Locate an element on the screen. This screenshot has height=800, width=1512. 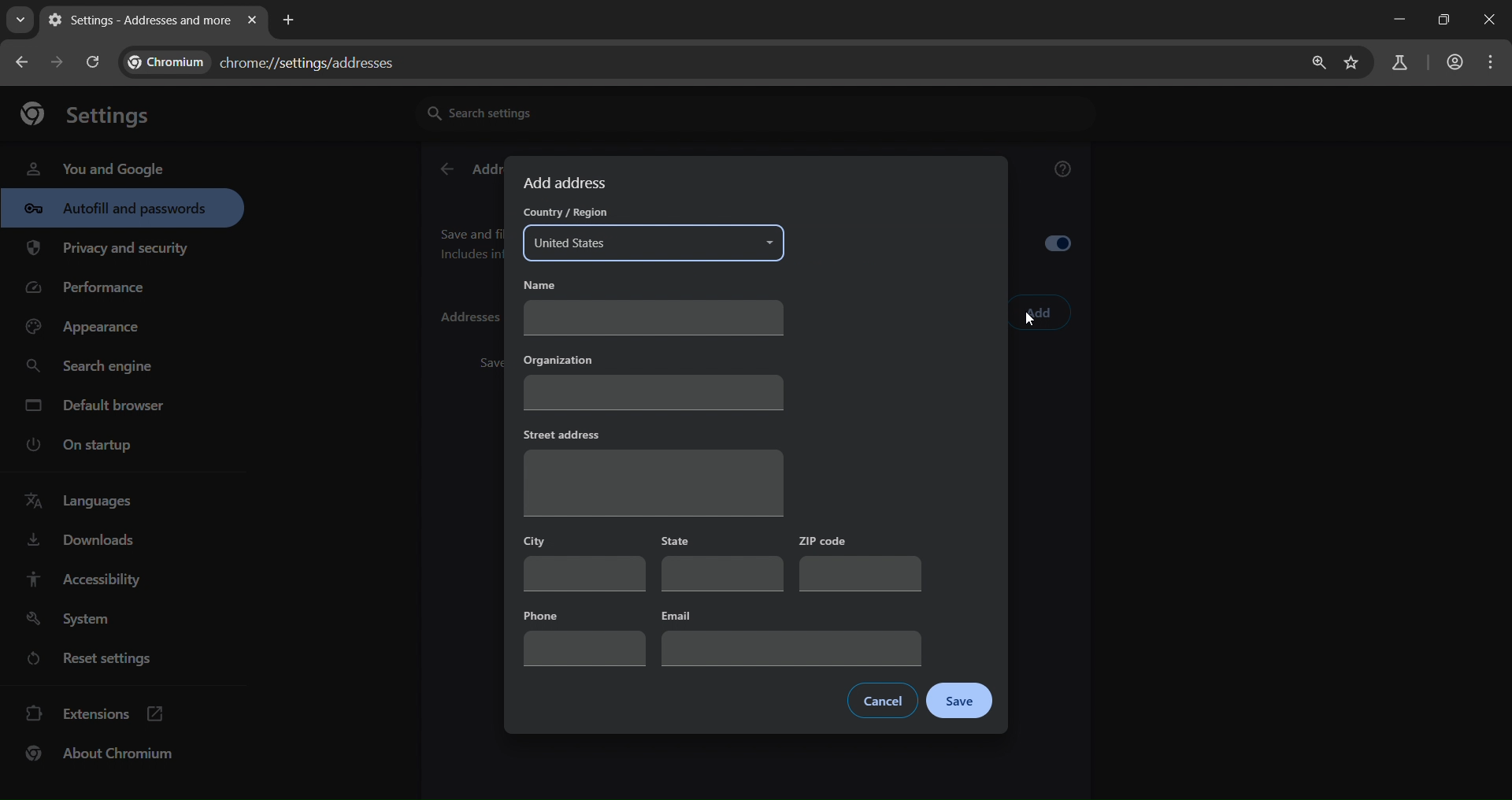
account is located at coordinates (1452, 64).